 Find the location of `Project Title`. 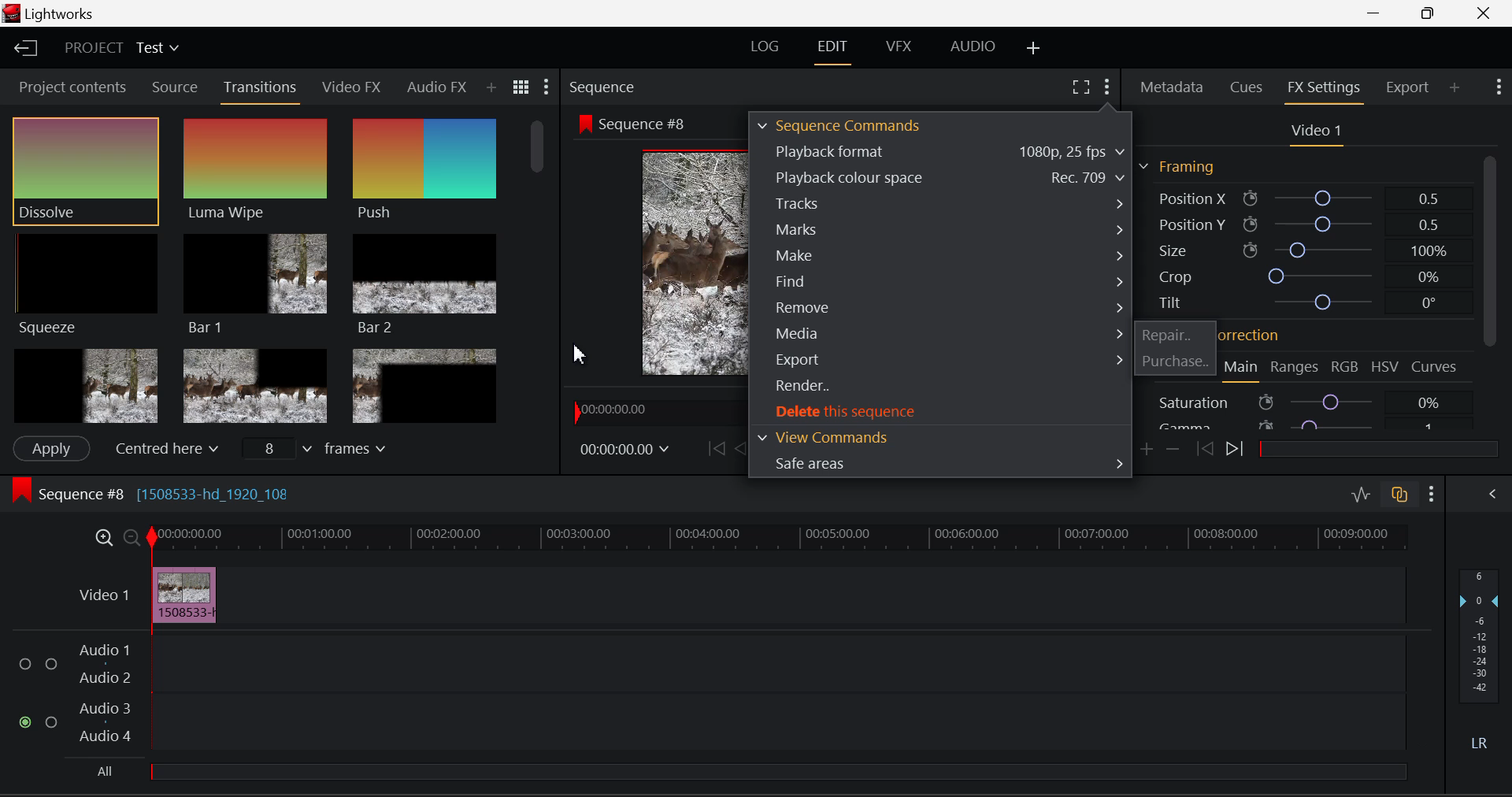

Project Title is located at coordinates (119, 47).